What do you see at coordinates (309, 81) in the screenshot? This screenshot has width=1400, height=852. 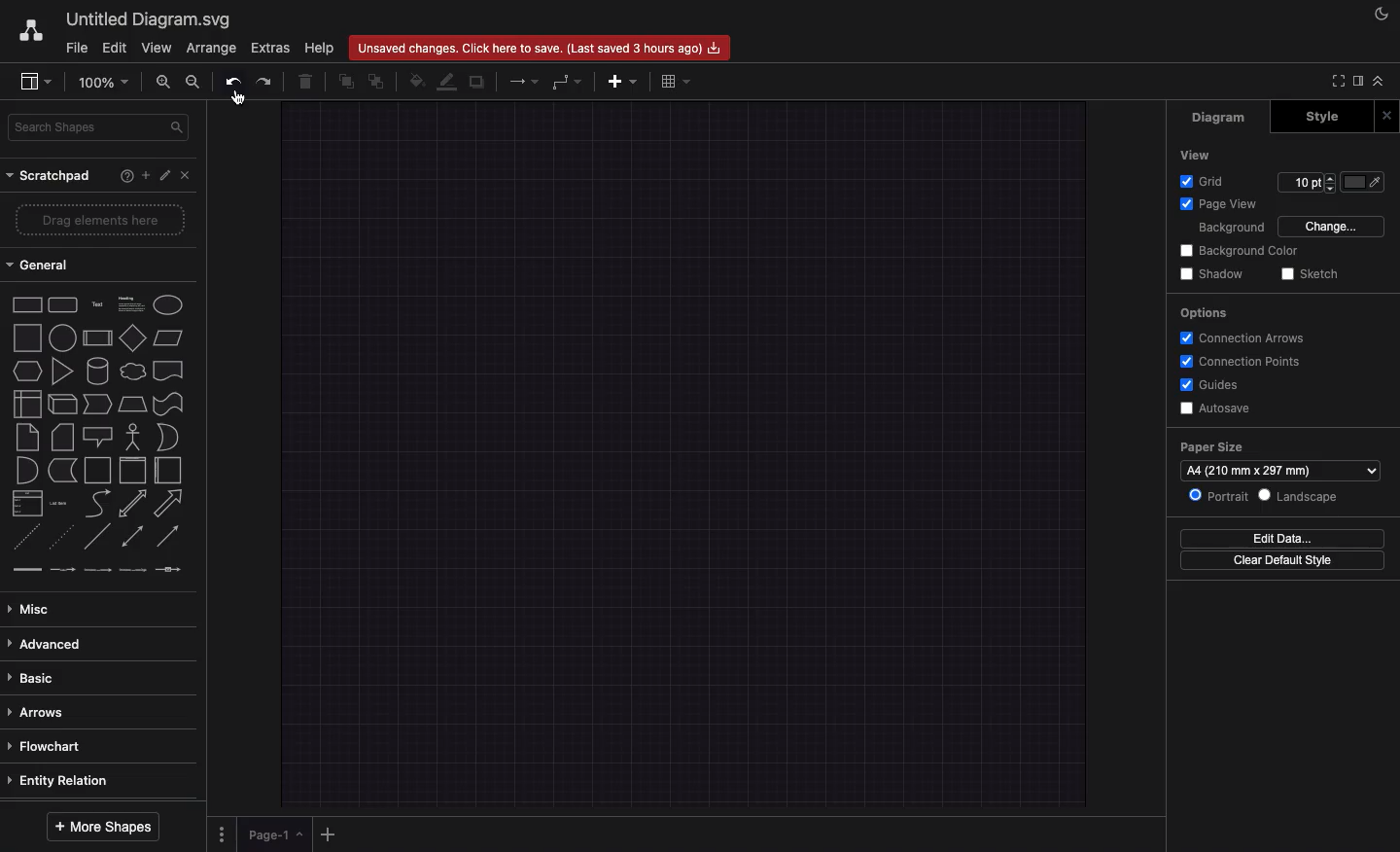 I see `Delete` at bounding box center [309, 81].